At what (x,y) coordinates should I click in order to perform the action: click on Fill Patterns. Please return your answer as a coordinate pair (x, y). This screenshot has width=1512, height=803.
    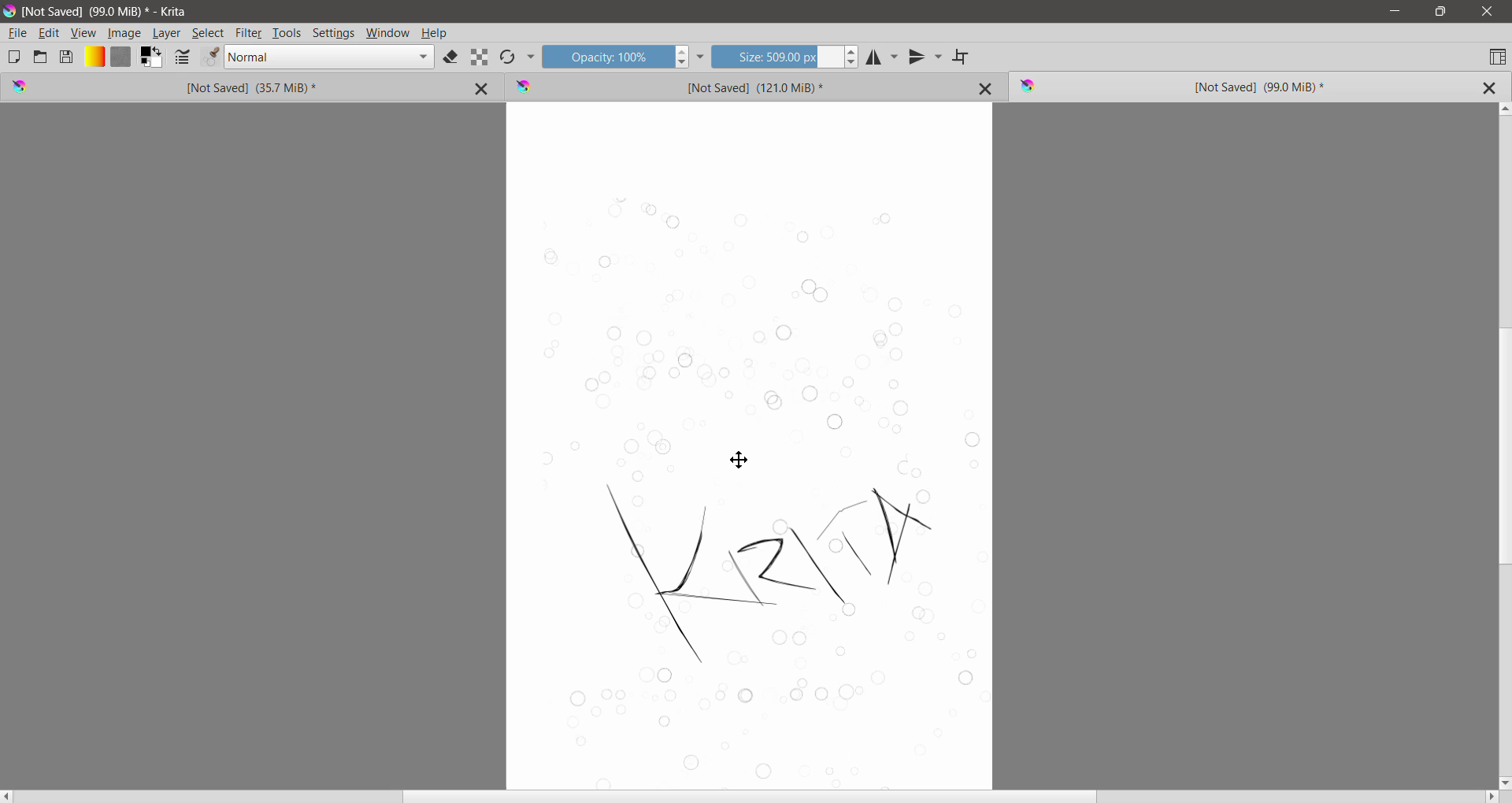
    Looking at the image, I should click on (120, 57).